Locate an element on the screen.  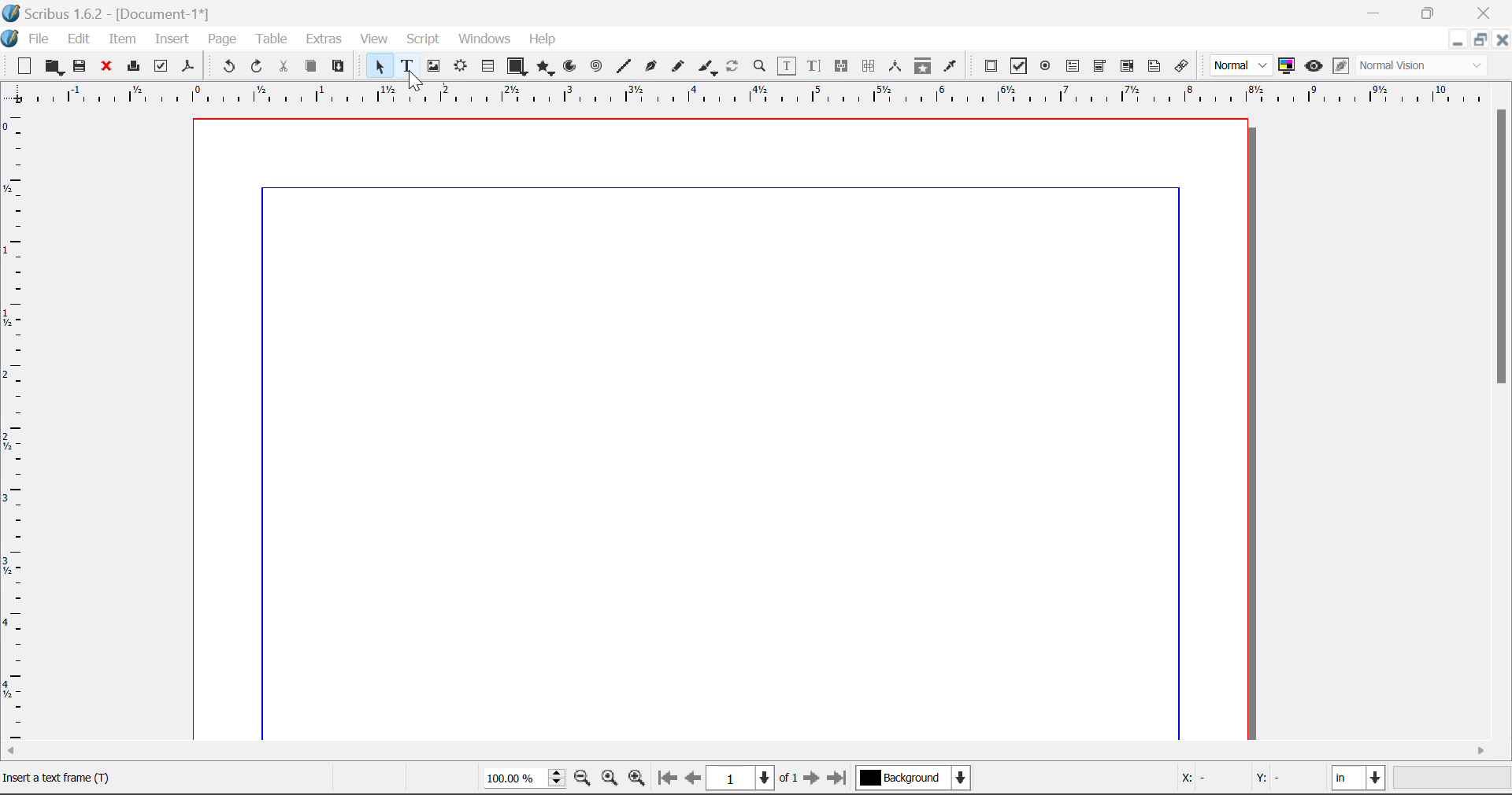
Zoom Out is located at coordinates (584, 780).